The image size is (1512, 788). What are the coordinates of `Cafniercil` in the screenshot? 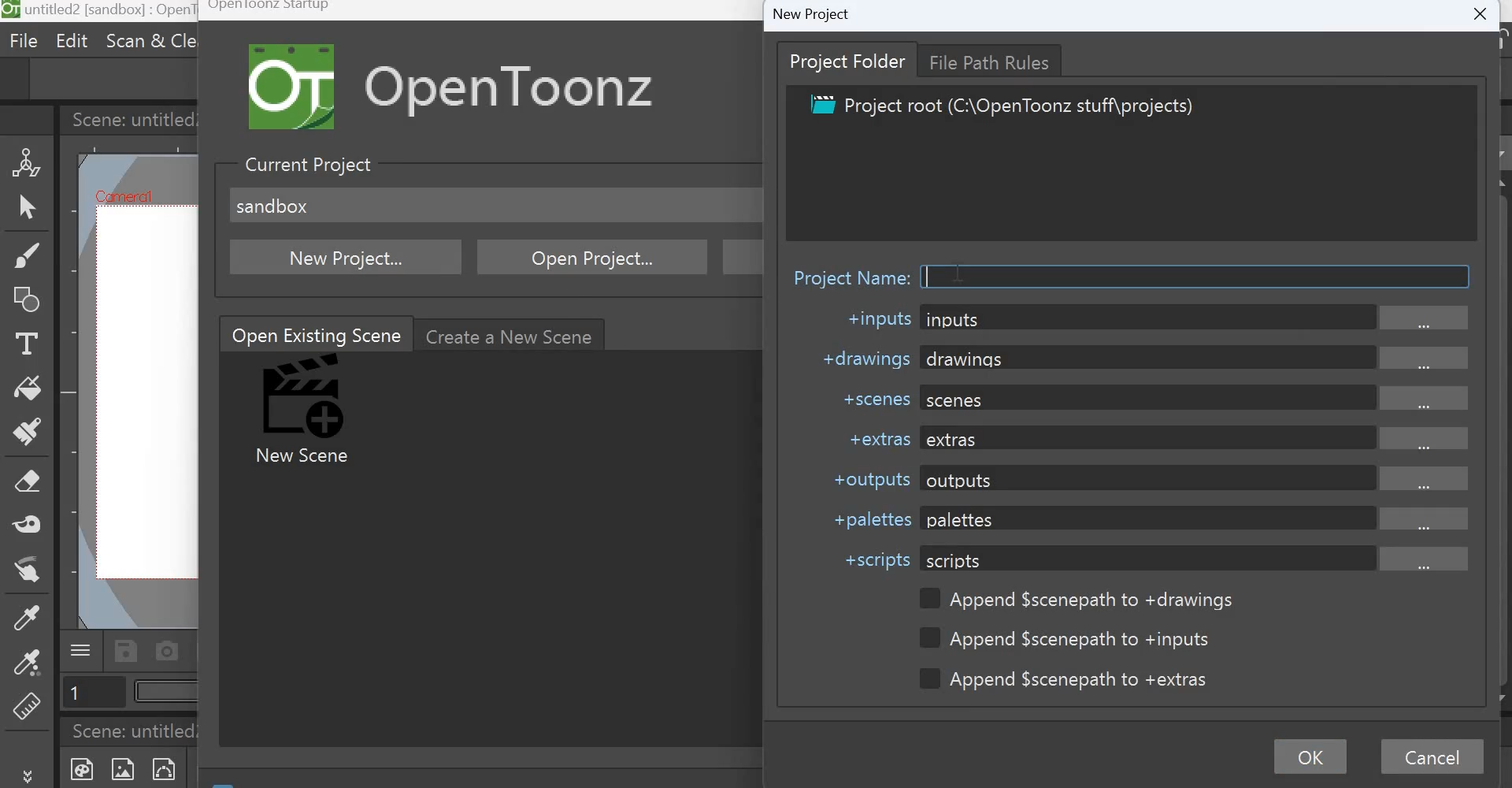 It's located at (120, 195).